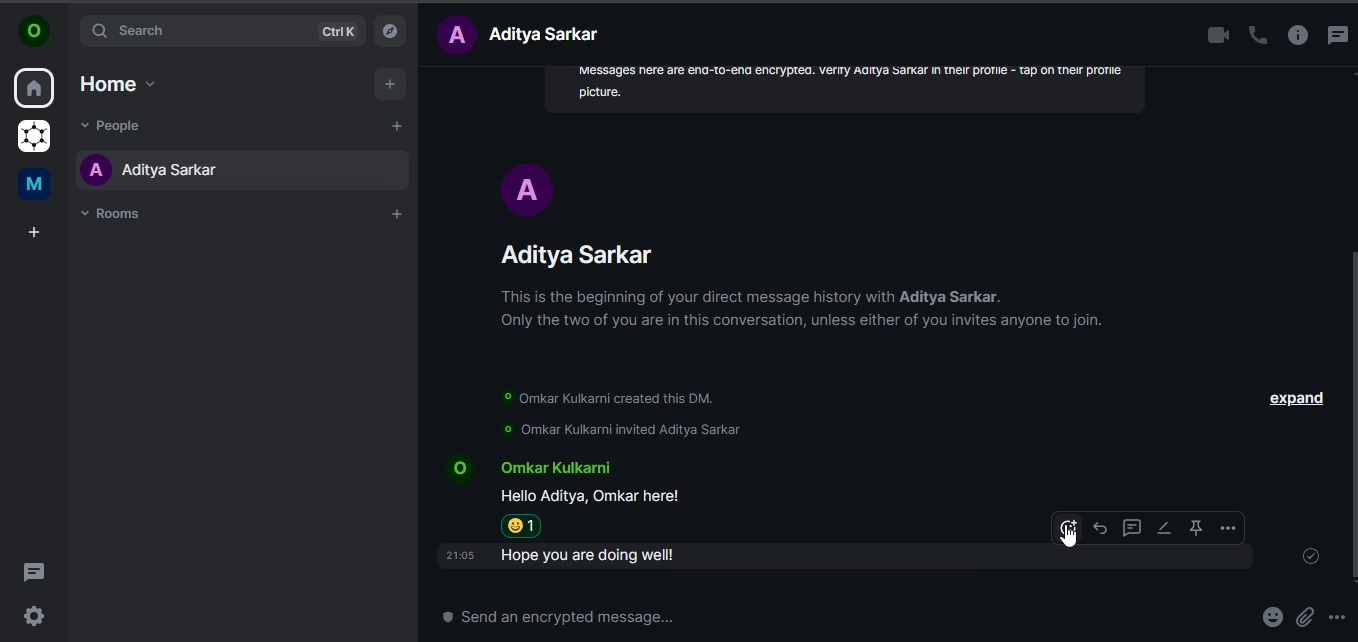  I want to click on Avatar, so click(527, 189).